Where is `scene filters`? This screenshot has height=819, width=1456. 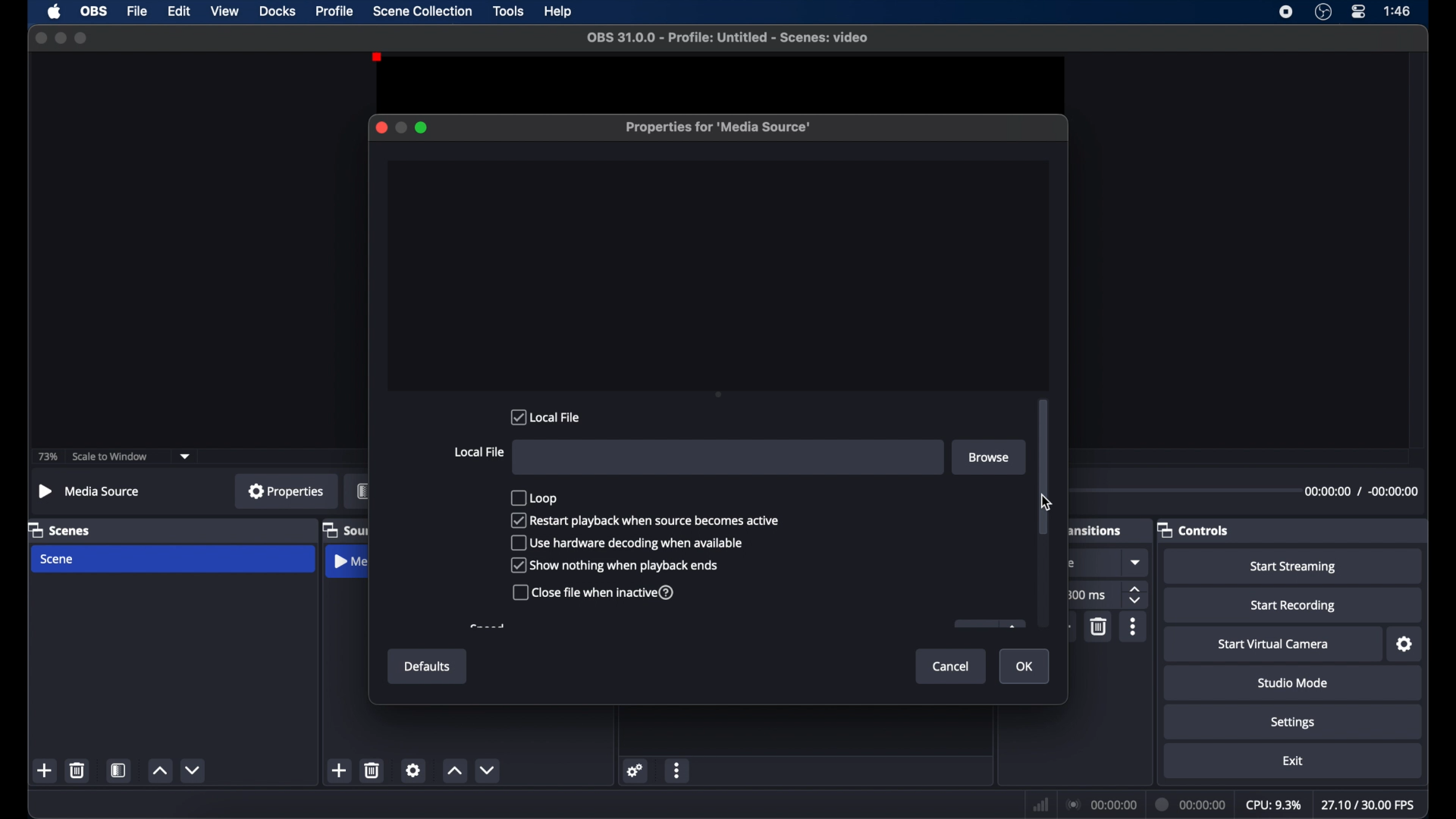 scene filters is located at coordinates (118, 770).